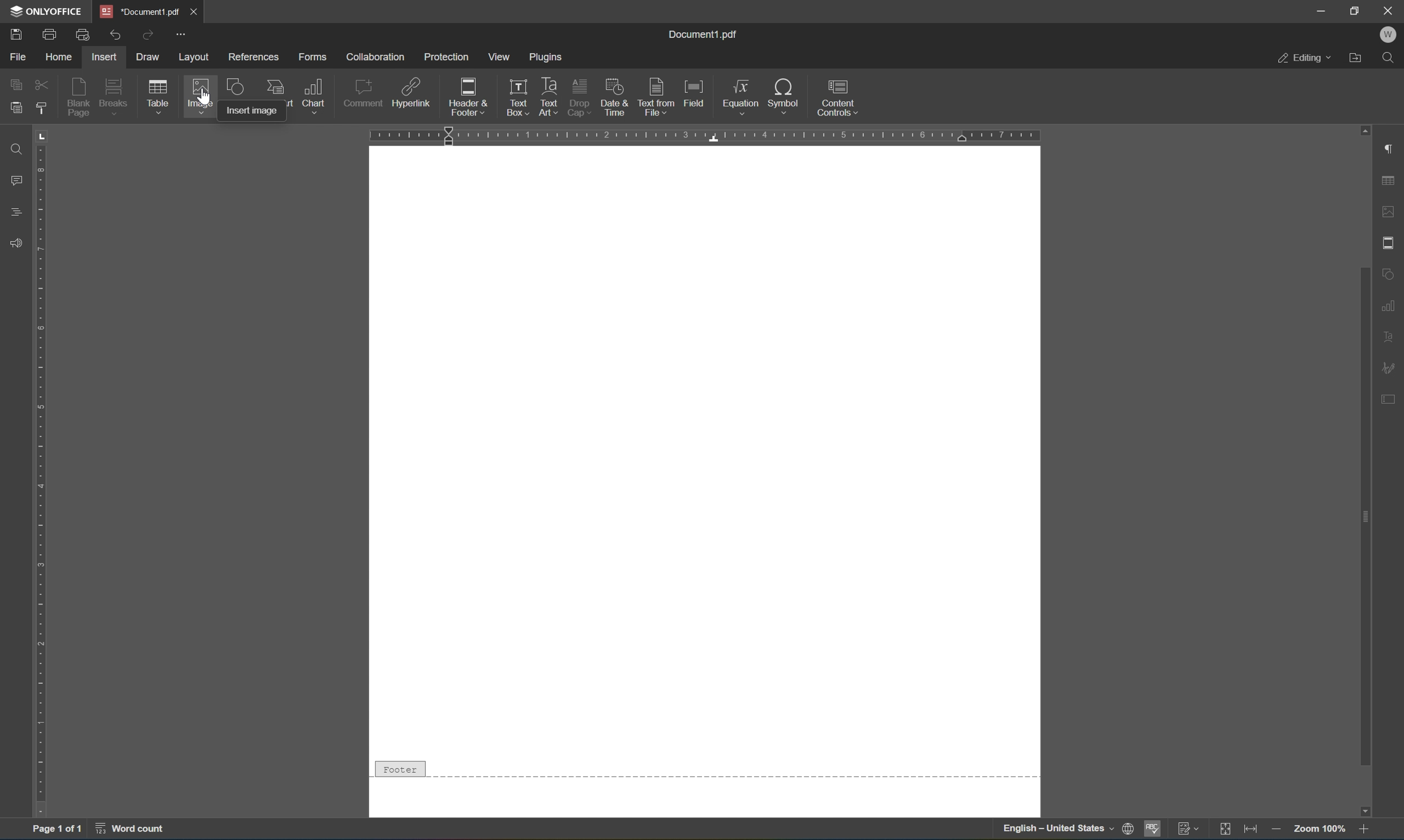  What do you see at coordinates (376, 57) in the screenshot?
I see `collaboration` at bounding box center [376, 57].